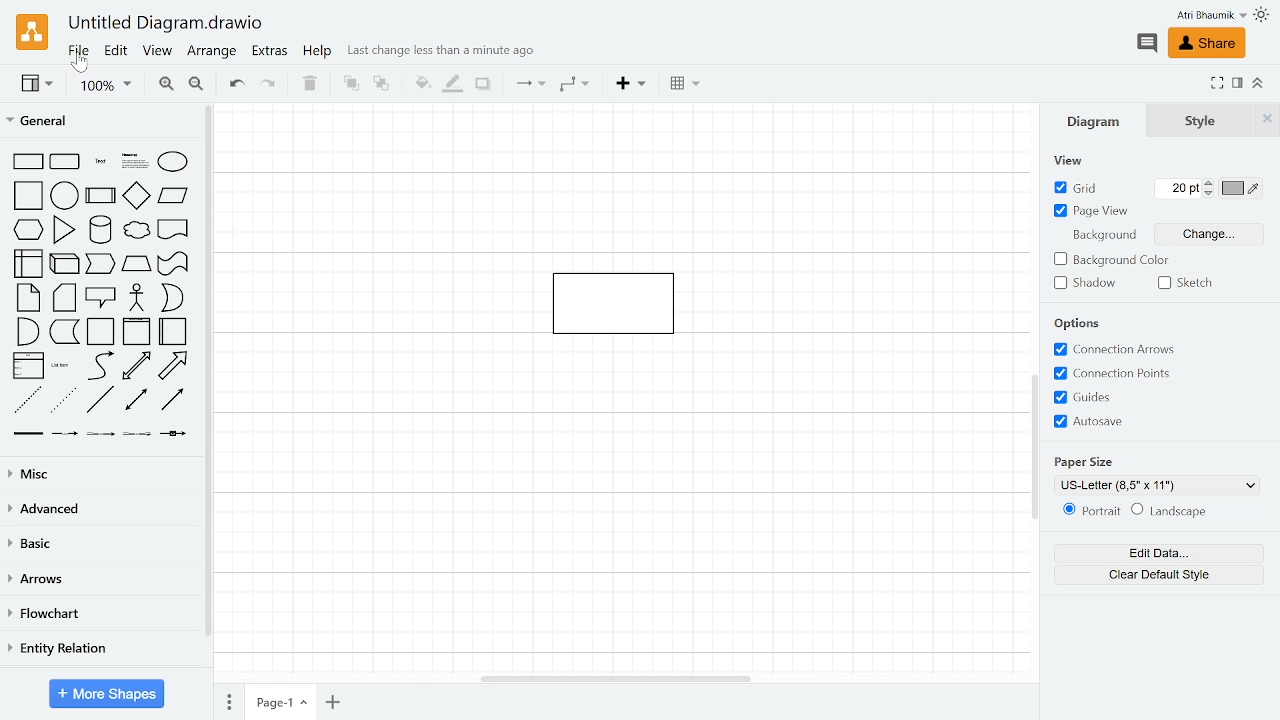 The image size is (1280, 720). What do you see at coordinates (117, 52) in the screenshot?
I see `Edit` at bounding box center [117, 52].